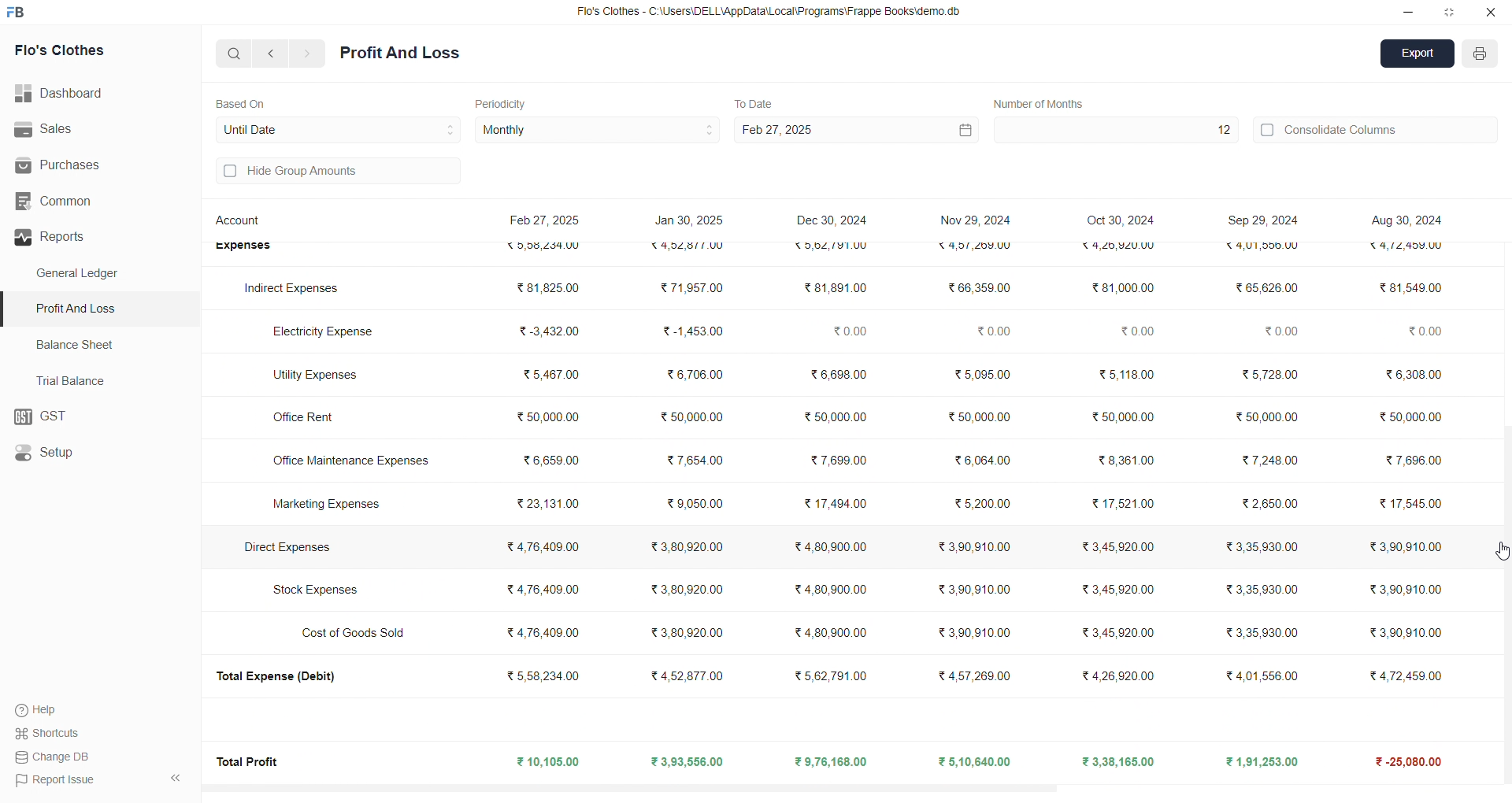 The height and width of the screenshot is (803, 1512). I want to click on Profit And Loss, so click(103, 308).